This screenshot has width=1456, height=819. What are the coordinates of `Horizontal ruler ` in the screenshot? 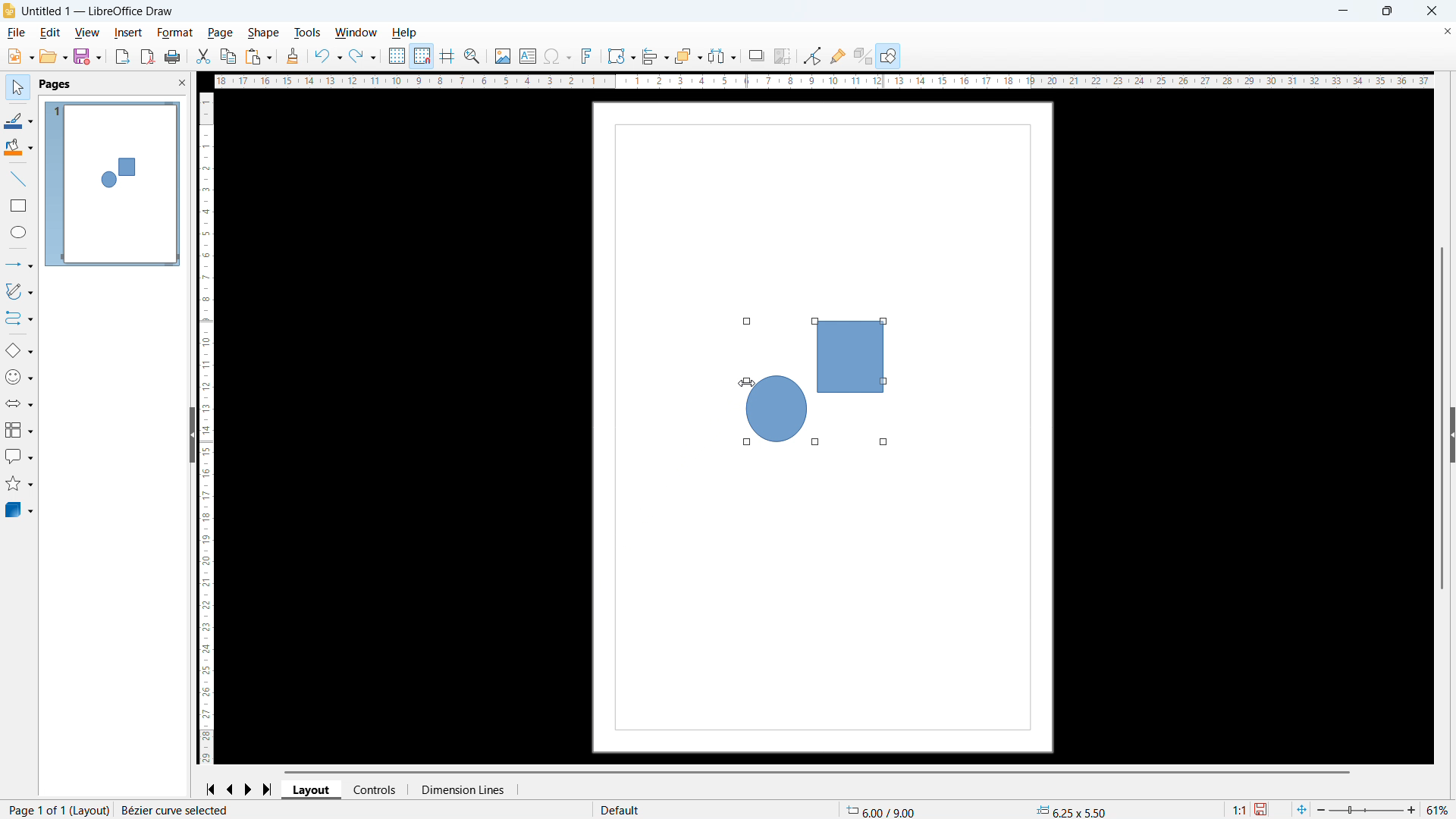 It's located at (823, 81).